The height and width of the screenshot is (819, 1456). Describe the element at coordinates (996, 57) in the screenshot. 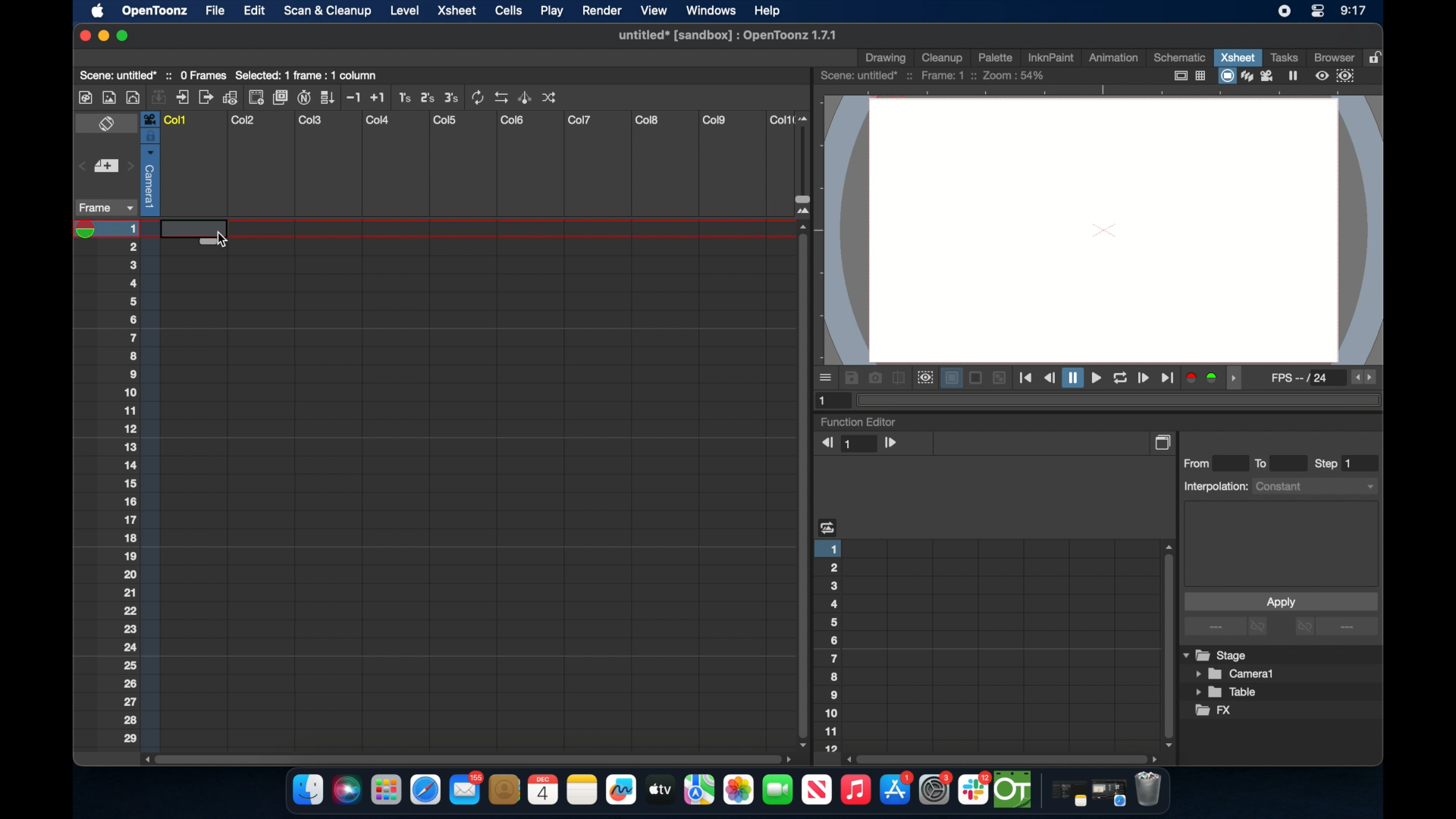

I see `palette` at that location.